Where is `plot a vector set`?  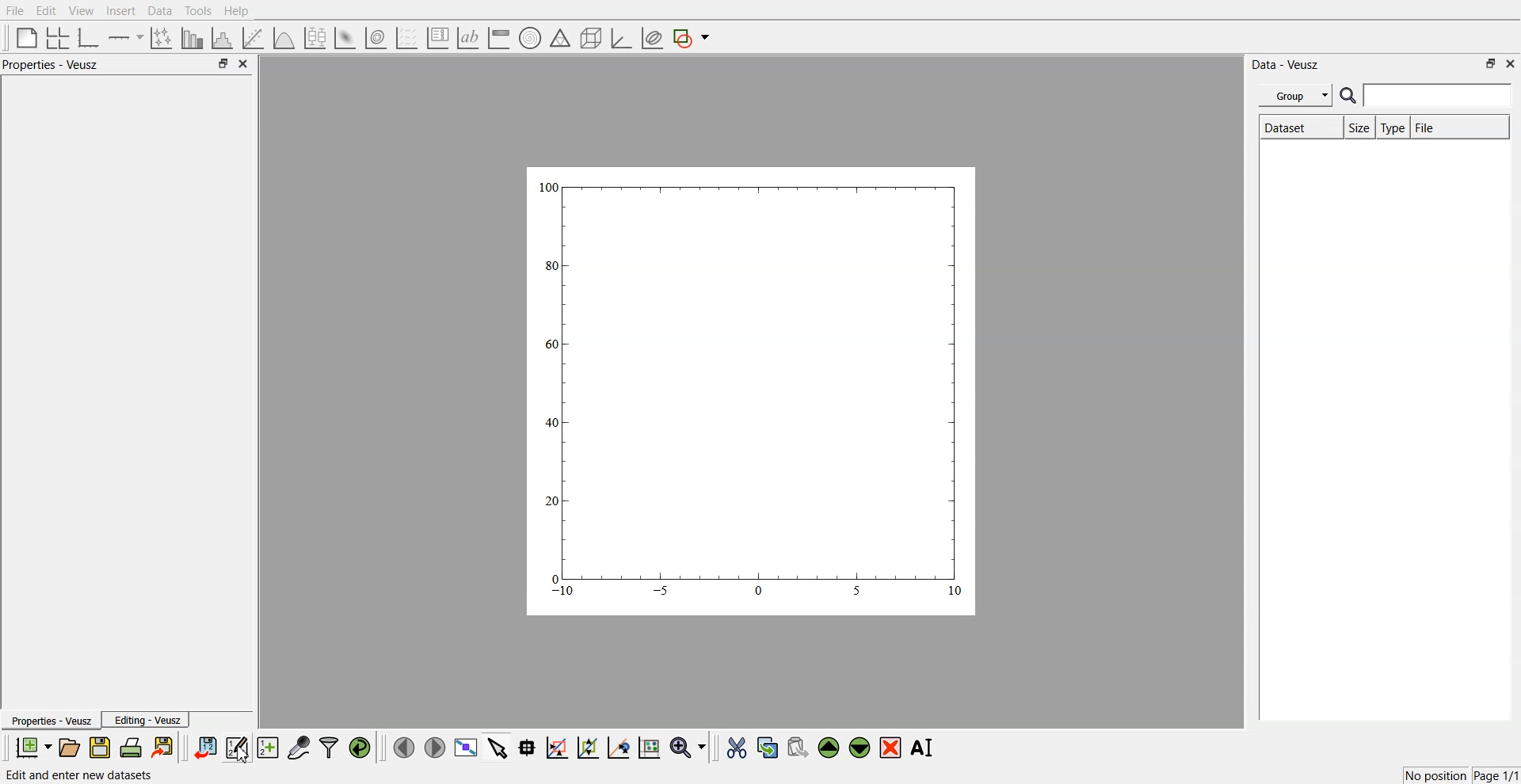 plot a vector set is located at coordinates (408, 38).